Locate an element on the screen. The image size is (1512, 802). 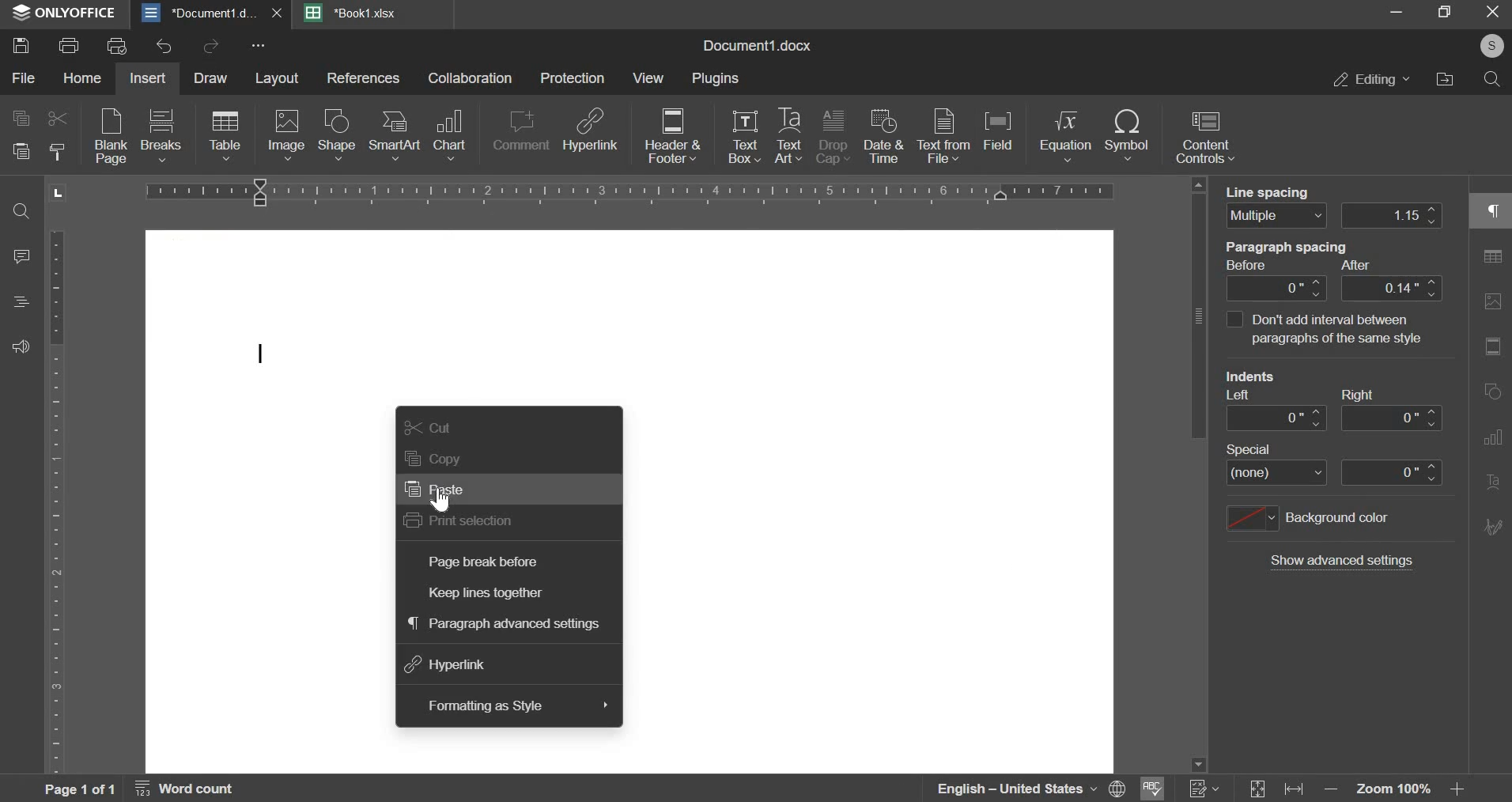
print preview is located at coordinates (119, 45).